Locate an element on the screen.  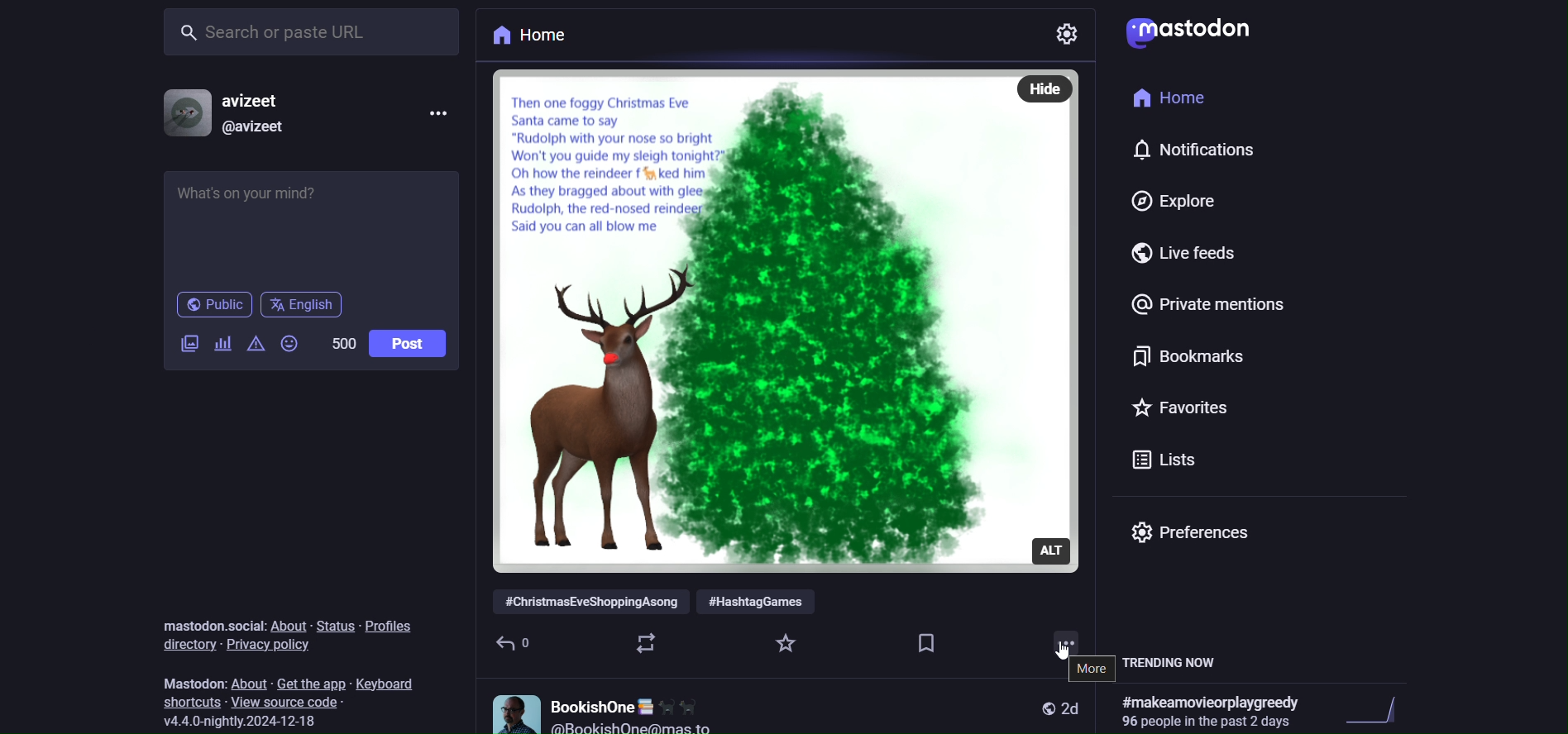
What's on your mind? is located at coordinates (308, 227).